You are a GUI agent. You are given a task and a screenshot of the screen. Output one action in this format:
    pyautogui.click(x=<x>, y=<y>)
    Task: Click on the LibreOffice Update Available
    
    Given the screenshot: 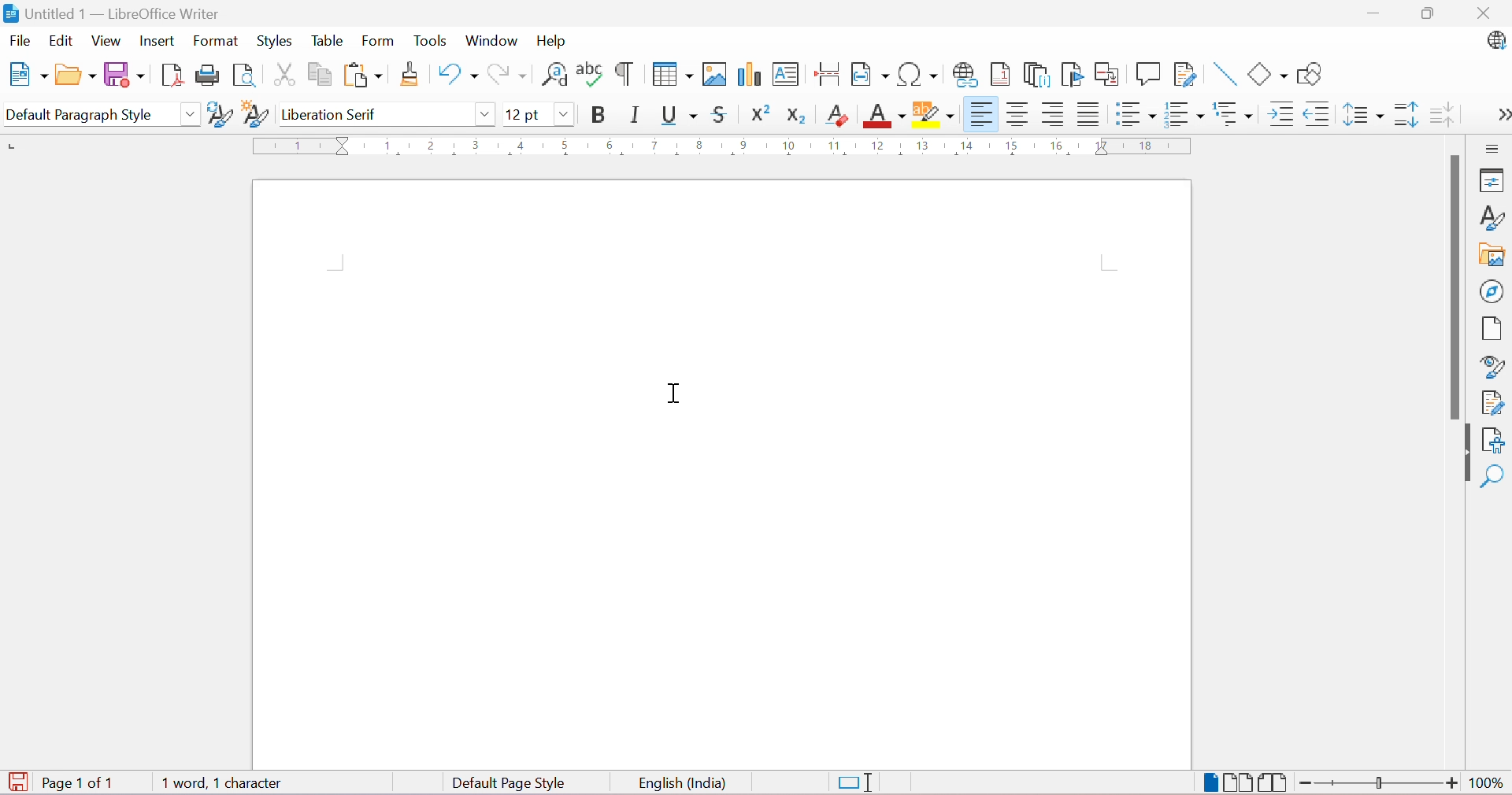 What is the action you would take?
    pyautogui.click(x=1499, y=42)
    